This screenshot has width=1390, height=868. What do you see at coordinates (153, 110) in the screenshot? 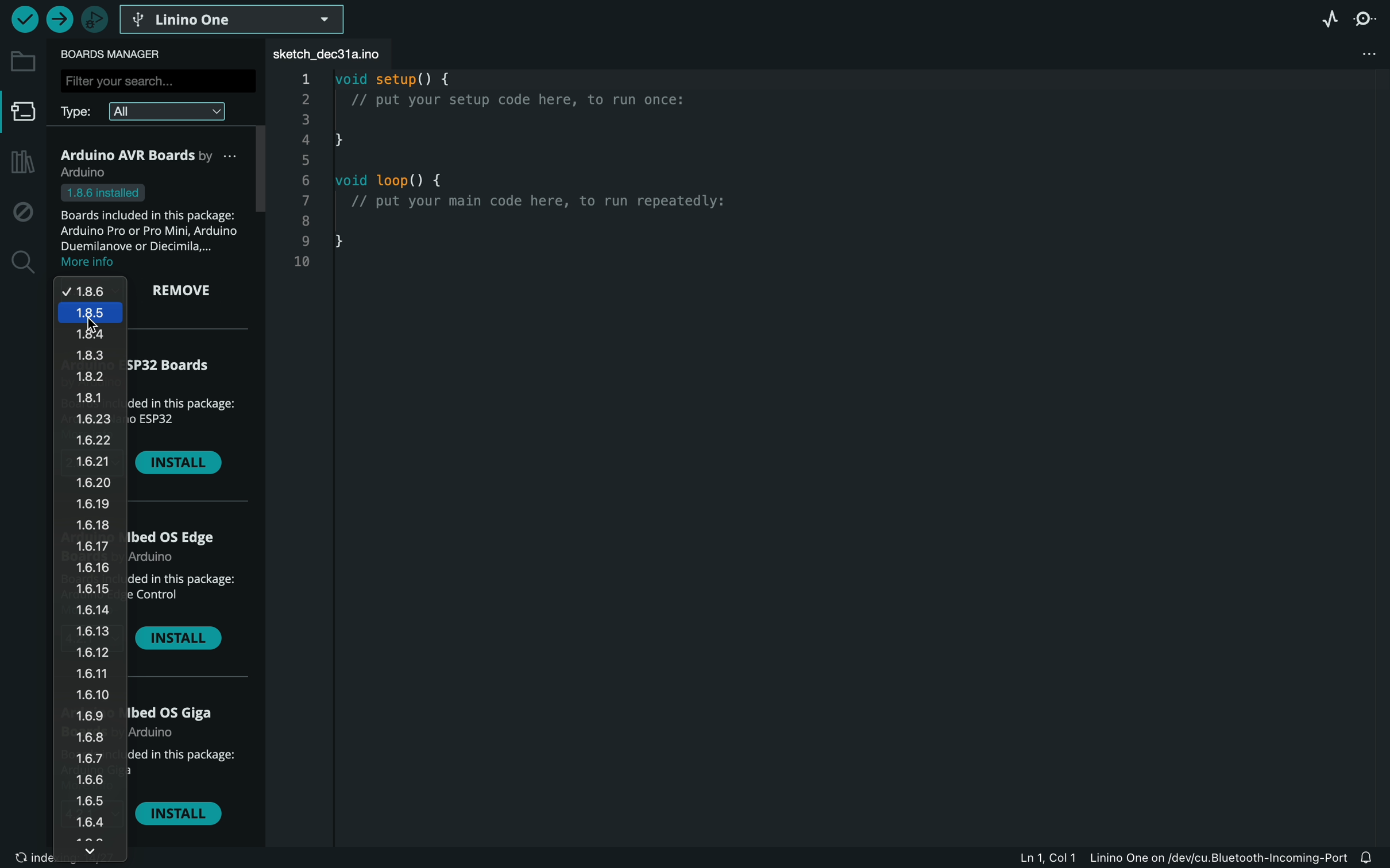
I see `type filter` at bounding box center [153, 110].